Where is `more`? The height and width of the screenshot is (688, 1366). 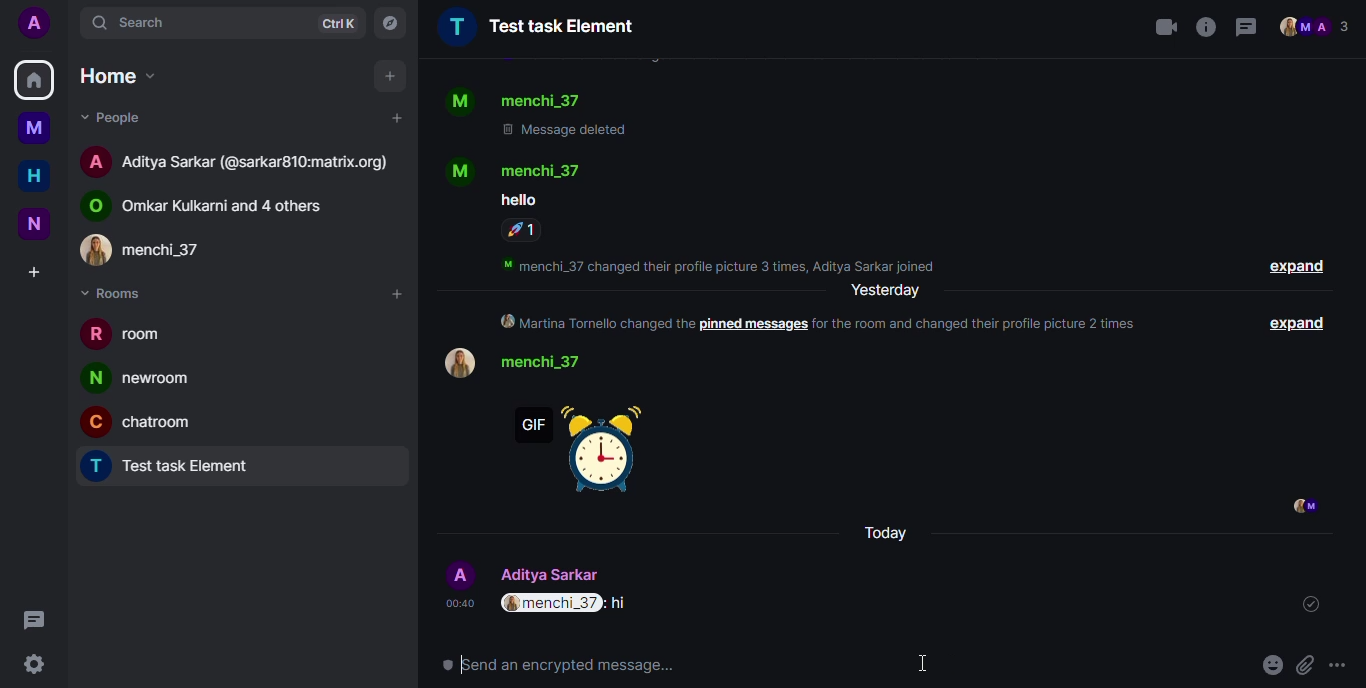 more is located at coordinates (1342, 666).